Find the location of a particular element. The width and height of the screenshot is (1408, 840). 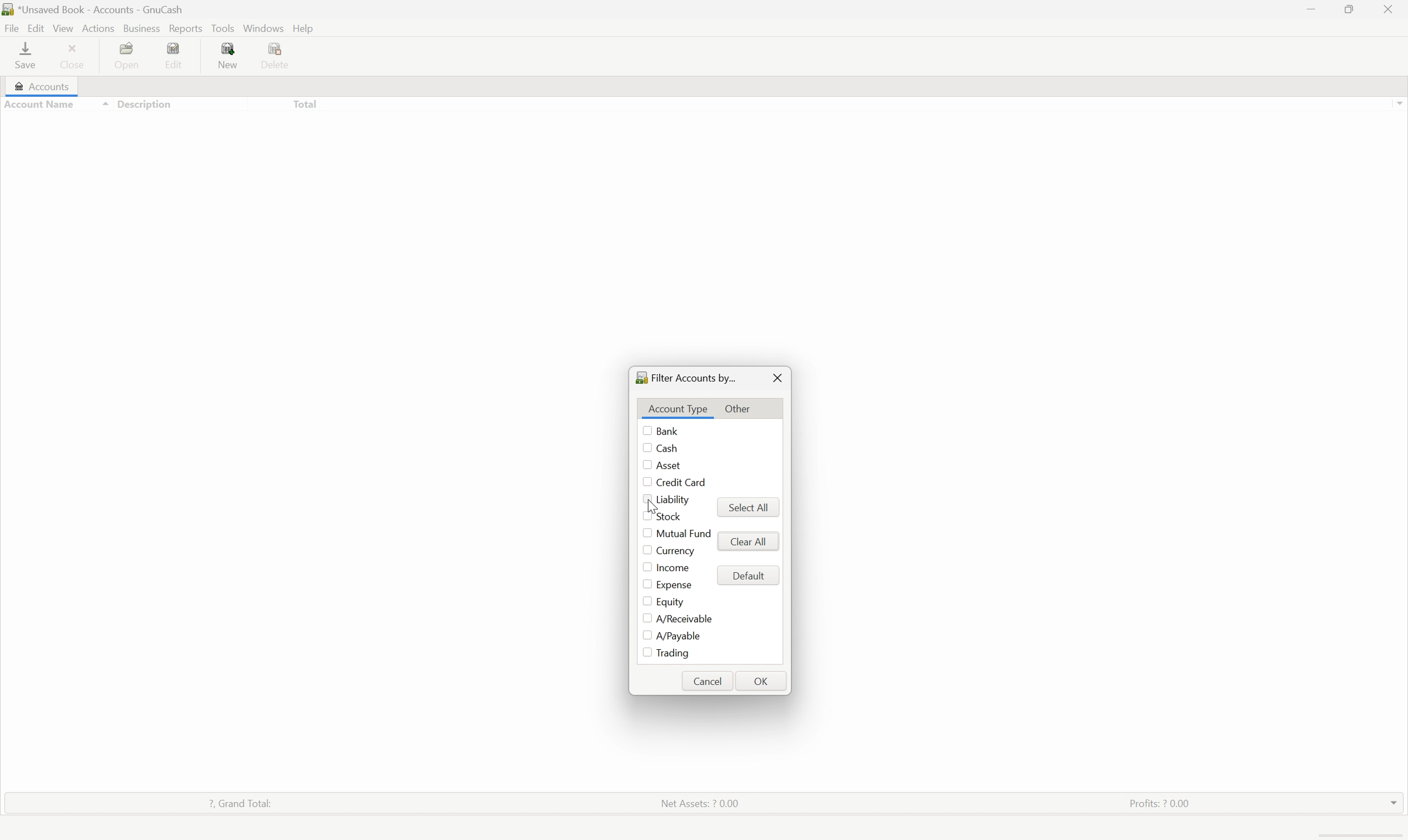

drop down is located at coordinates (1390, 803).